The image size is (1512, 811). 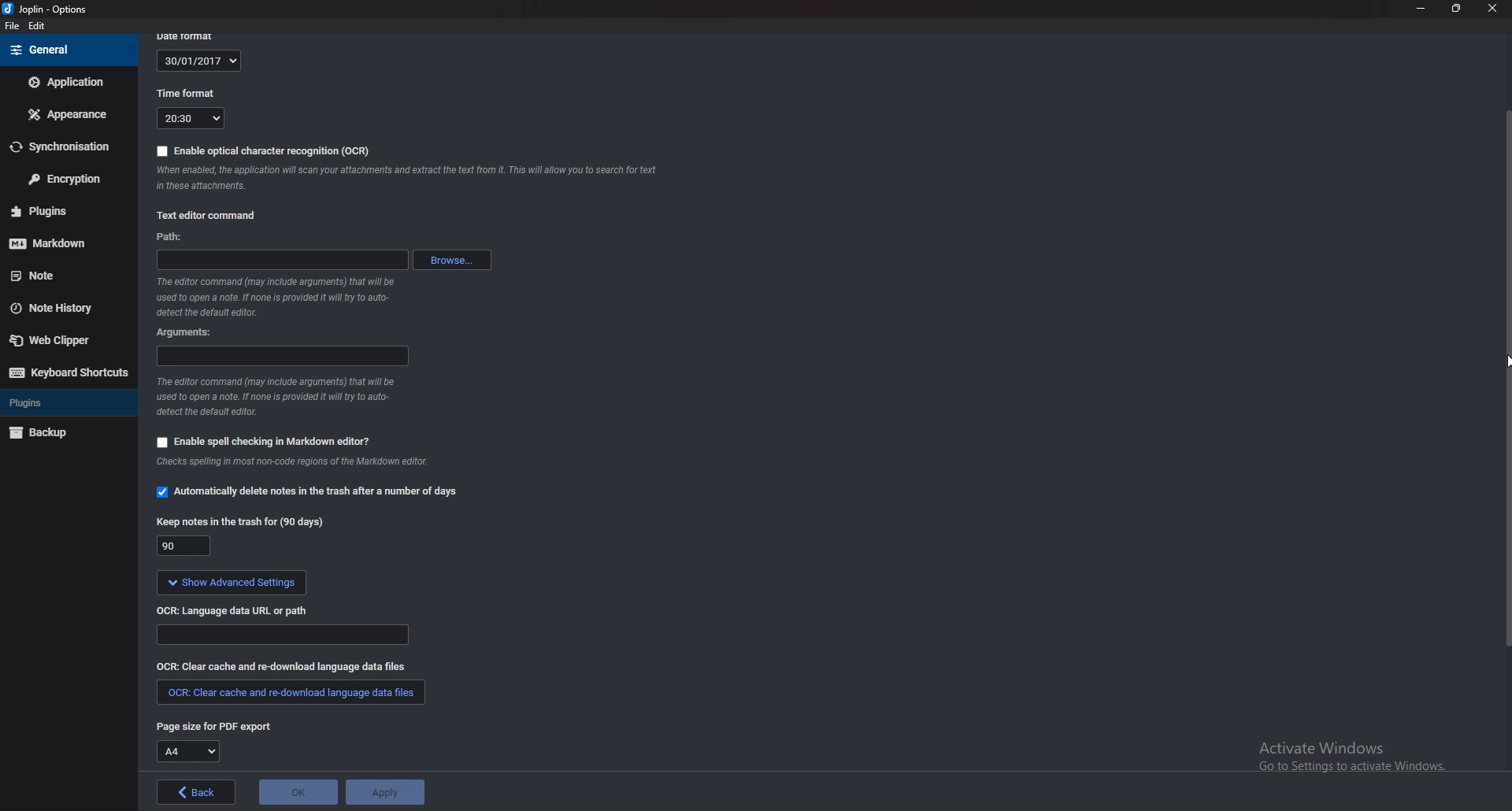 I want to click on enable OCR, so click(x=266, y=151).